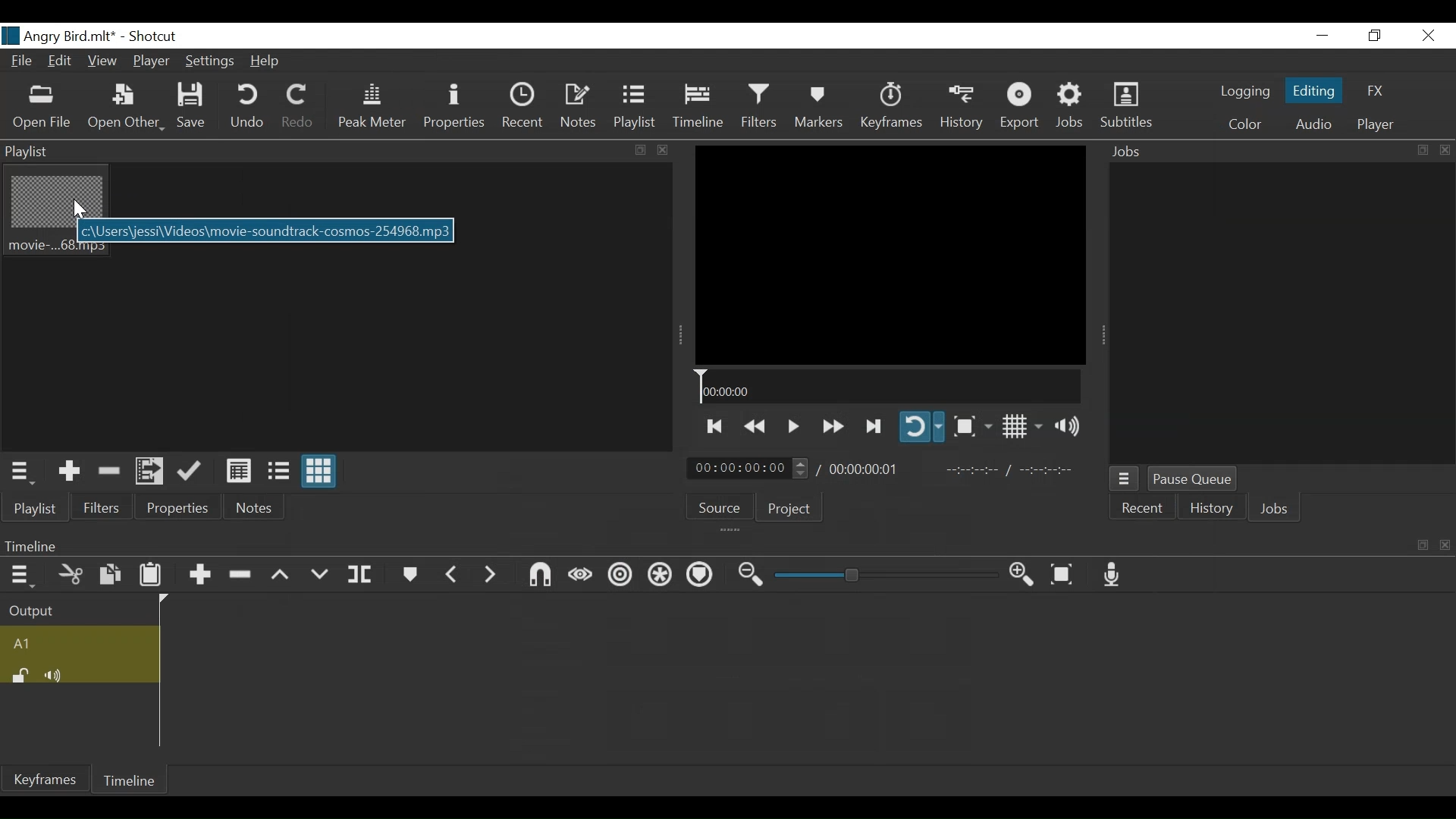 Image resolution: width=1456 pixels, height=819 pixels. I want to click on Audio, so click(1313, 124).